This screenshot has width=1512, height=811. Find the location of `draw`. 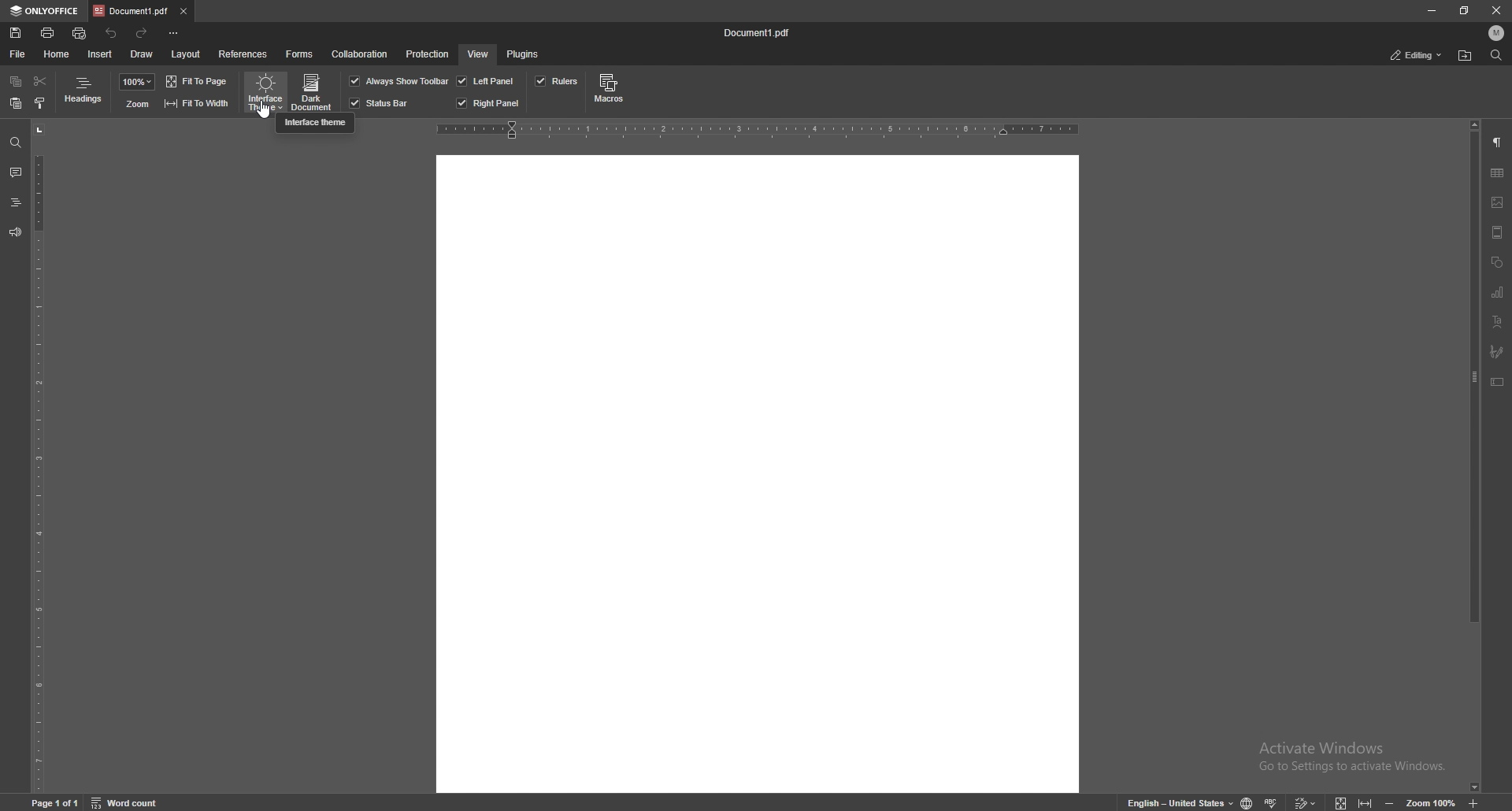

draw is located at coordinates (142, 54).